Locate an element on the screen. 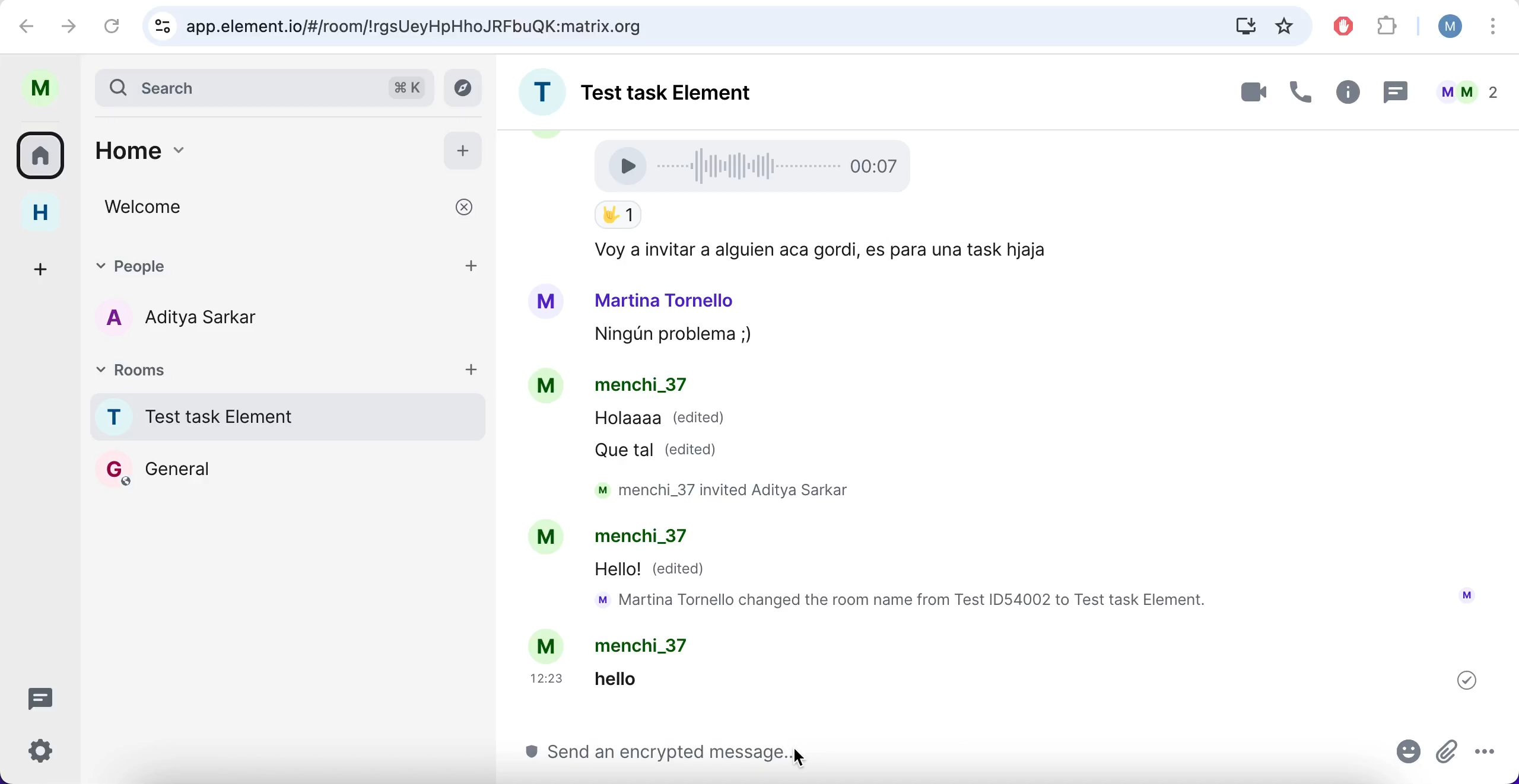 This screenshot has width=1519, height=784. google search bar is located at coordinates (674, 27).